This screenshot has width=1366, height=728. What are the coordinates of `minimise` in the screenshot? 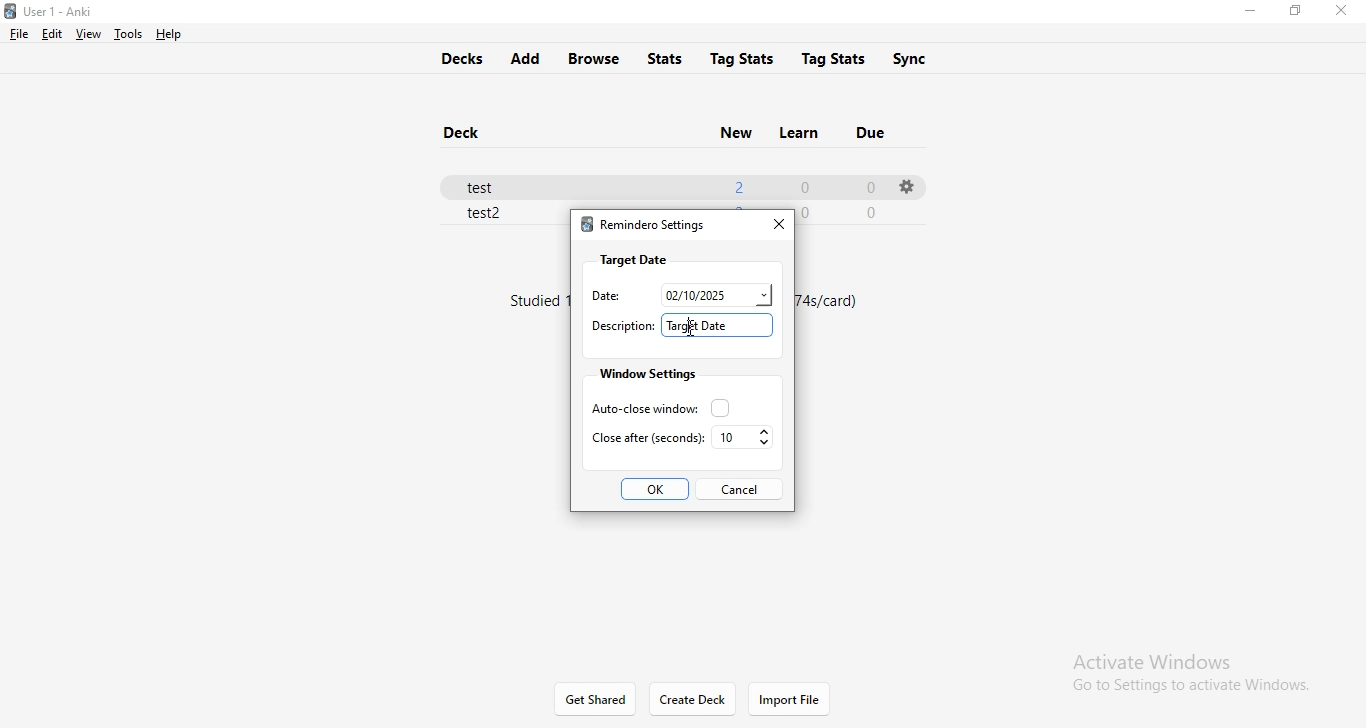 It's located at (1249, 13).